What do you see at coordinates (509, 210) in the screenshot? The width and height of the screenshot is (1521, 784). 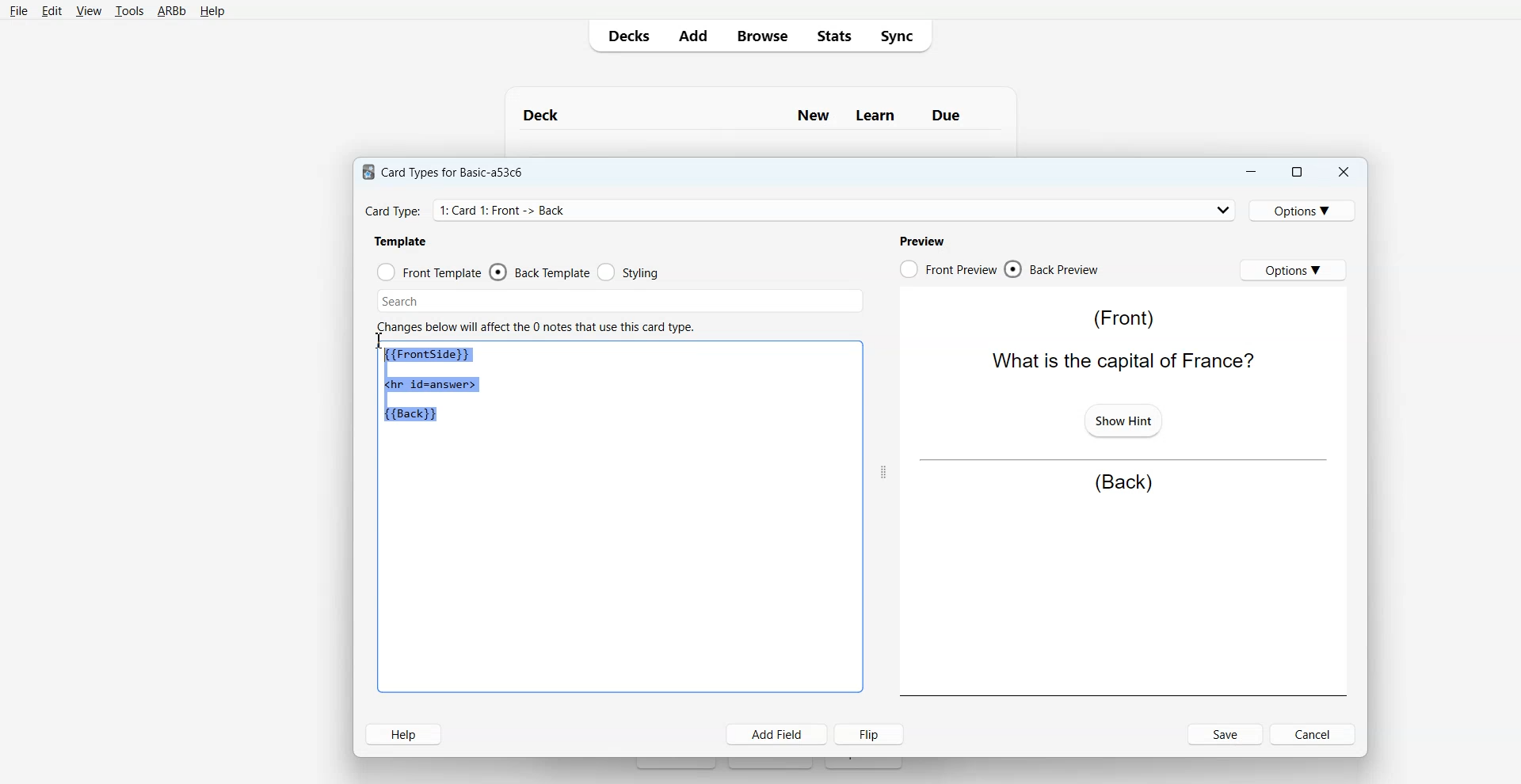 I see `Card Type: 1: Card 1: Front -> Back` at bounding box center [509, 210].